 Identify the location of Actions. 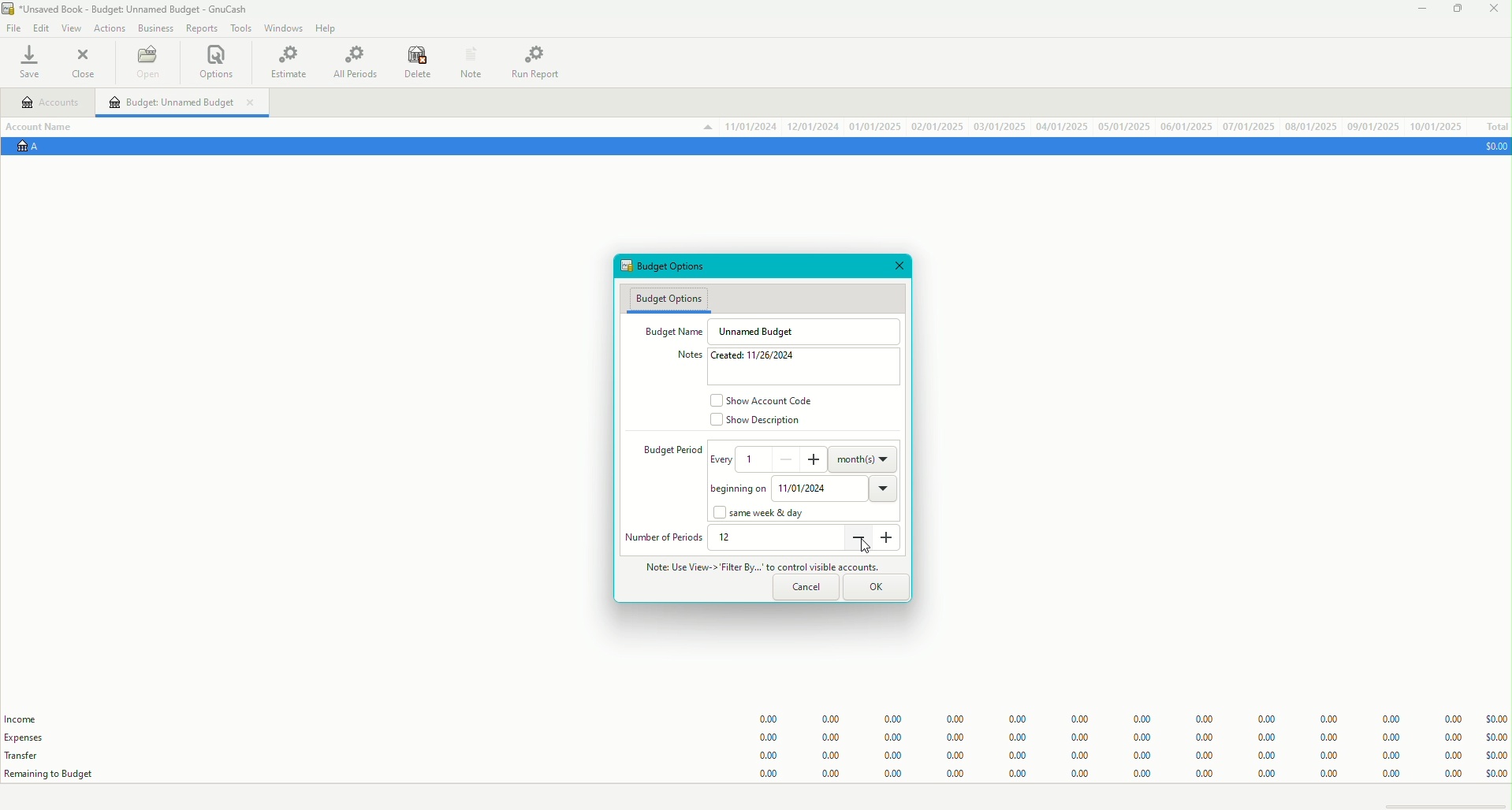
(109, 28).